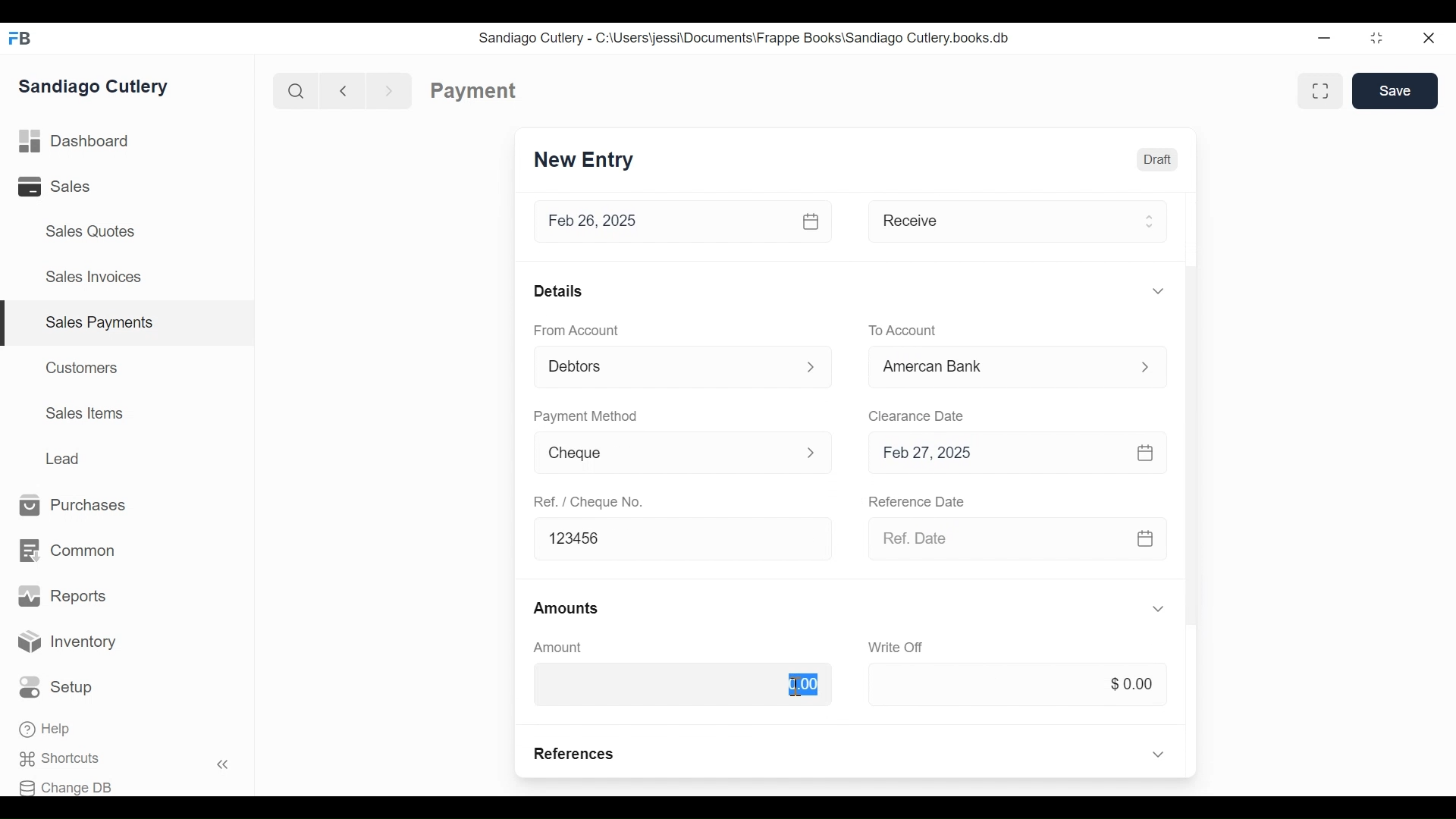  Describe the element at coordinates (1017, 685) in the screenshot. I see `$0.00` at that location.